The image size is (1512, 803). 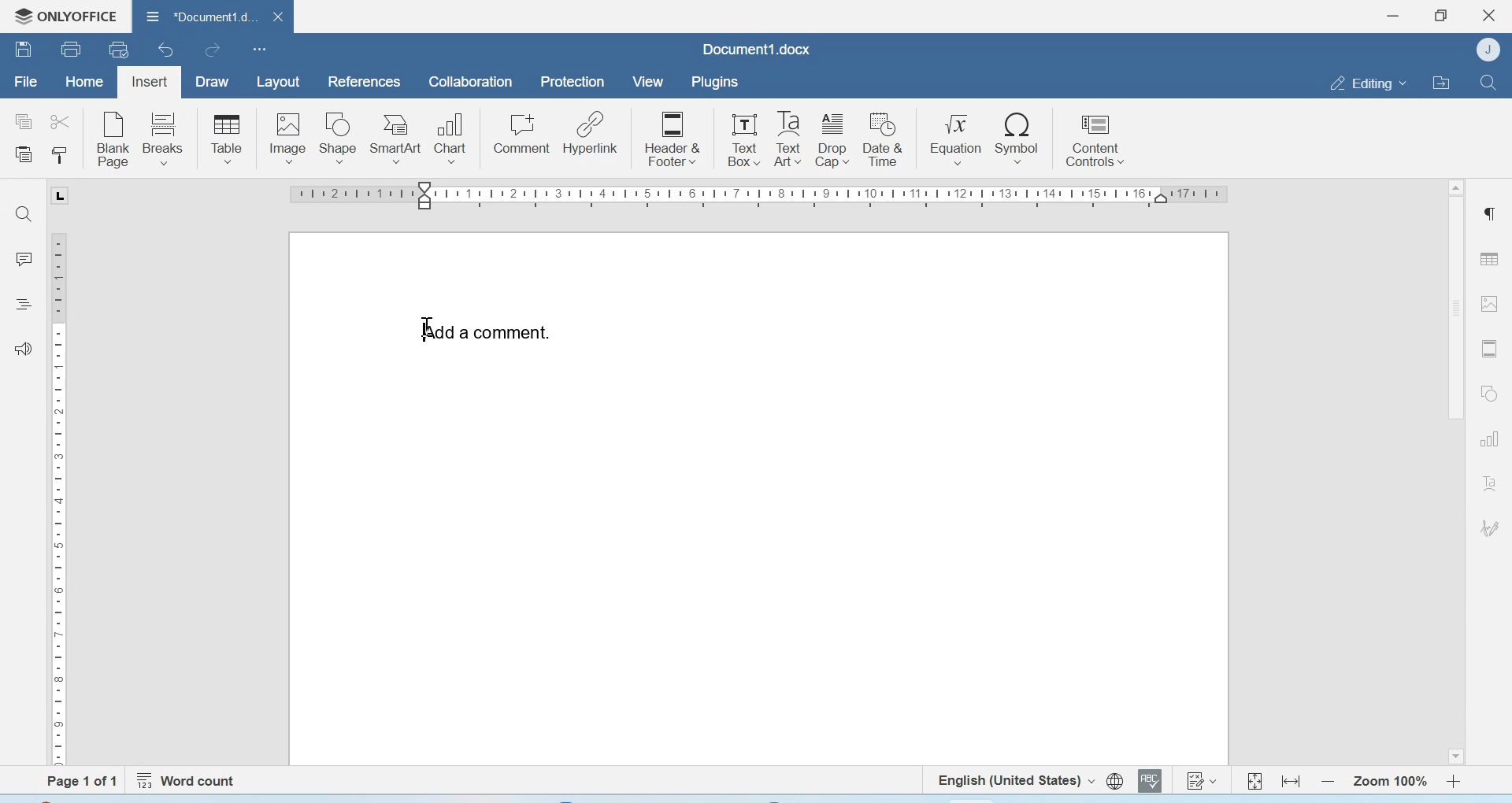 I want to click on Word count, so click(x=189, y=781).